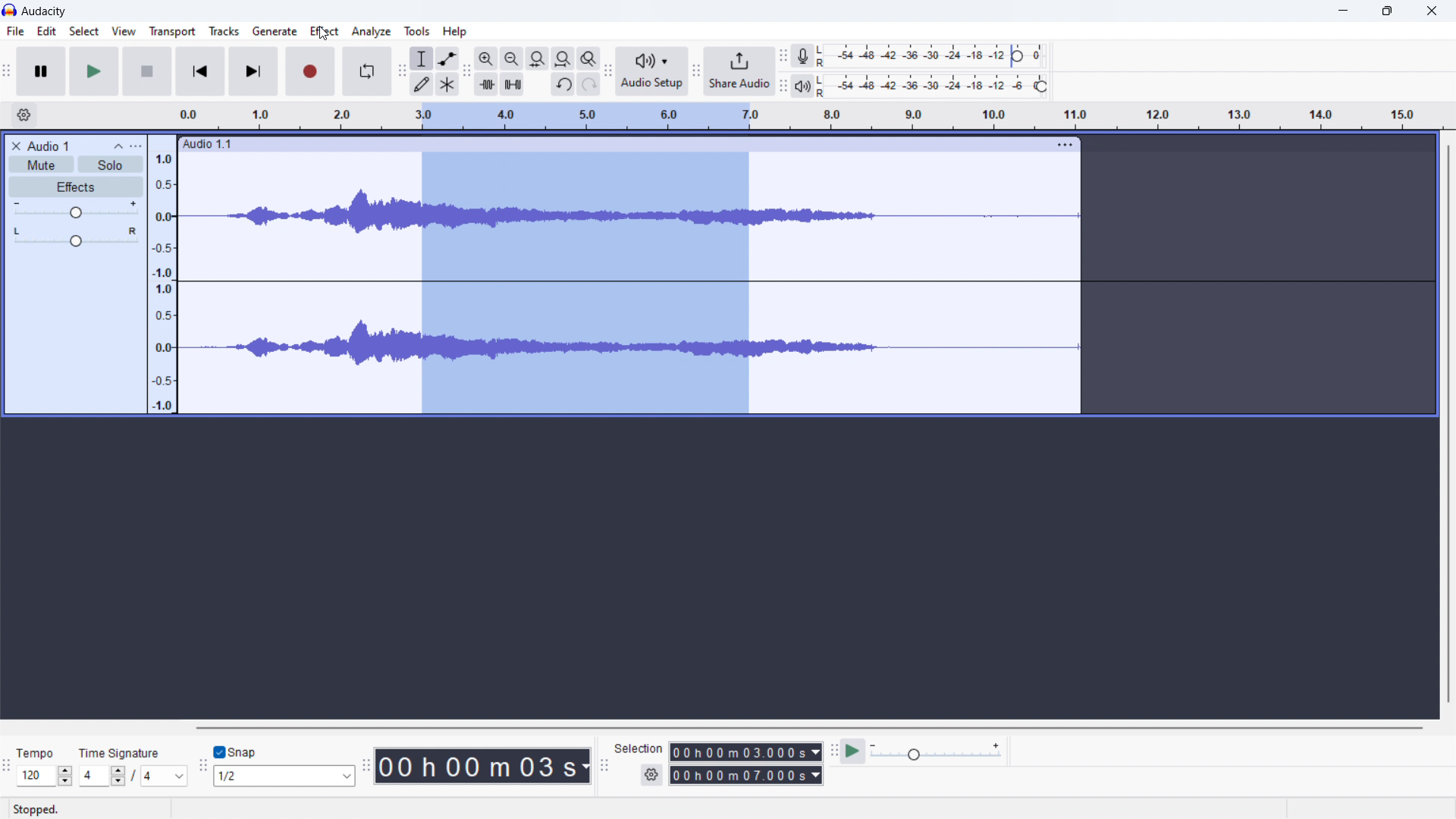  I want to click on gain control, so click(75, 211).